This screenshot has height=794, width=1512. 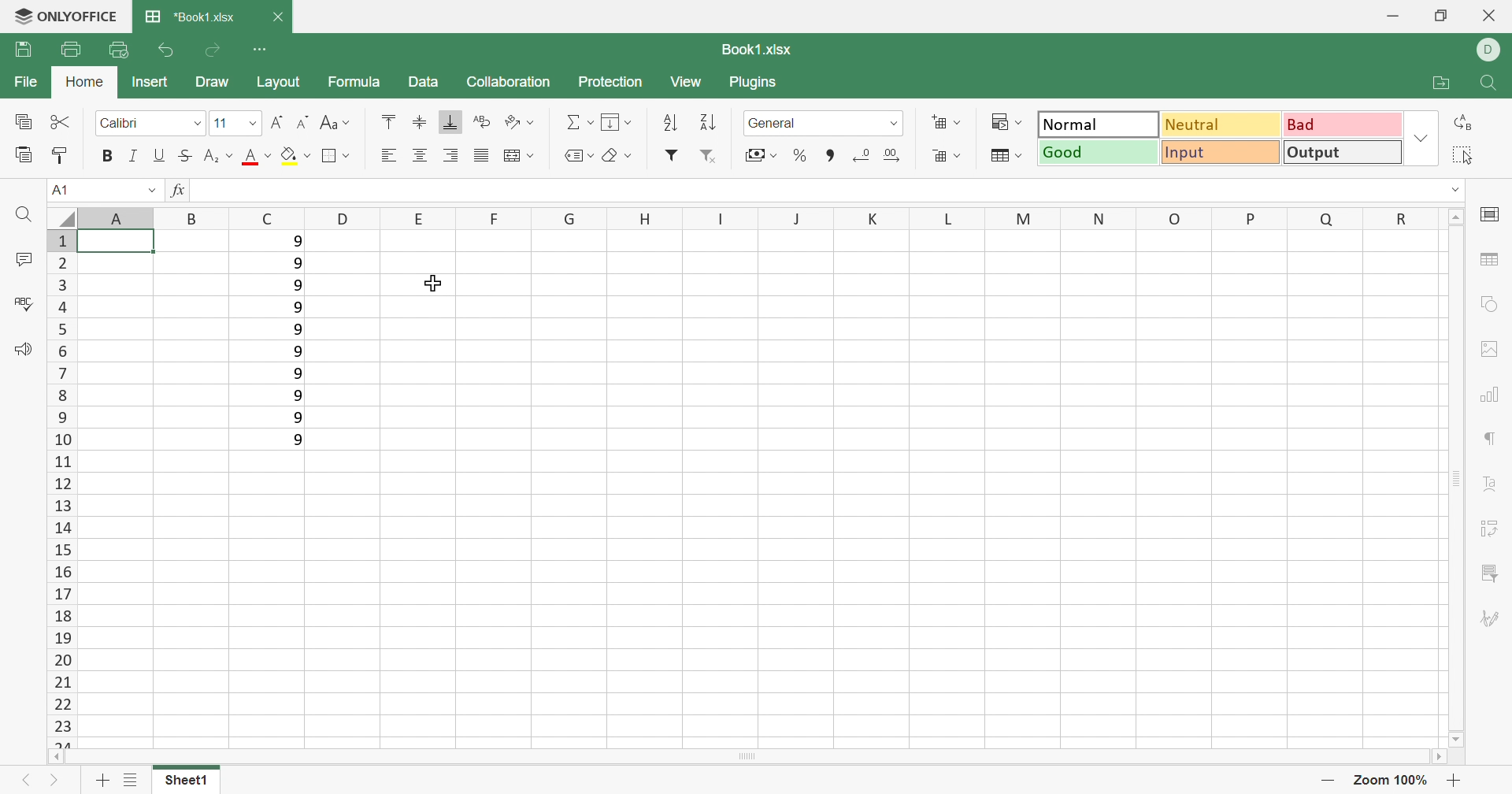 What do you see at coordinates (895, 124) in the screenshot?
I see `Drop Down` at bounding box center [895, 124].